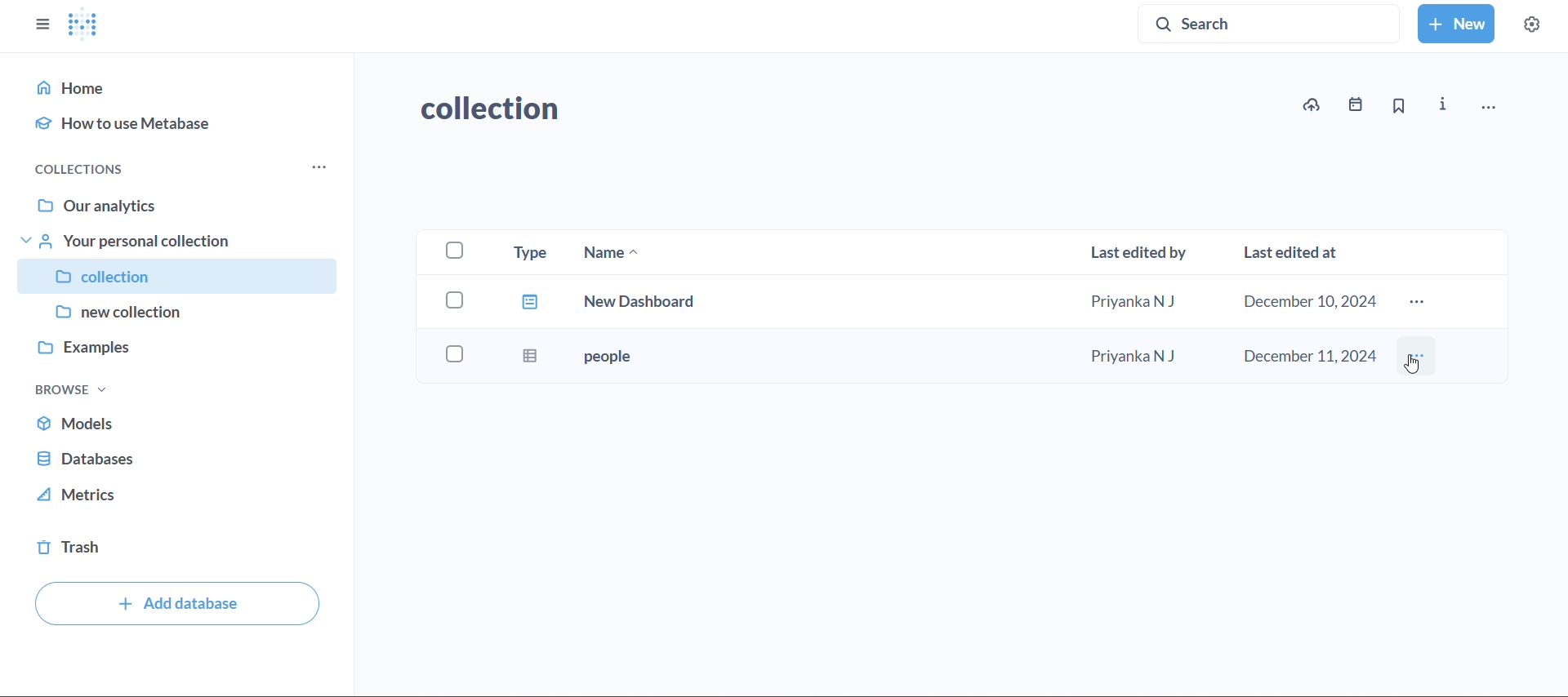 The image size is (1568, 697). I want to click on upload to collection, so click(1312, 106).